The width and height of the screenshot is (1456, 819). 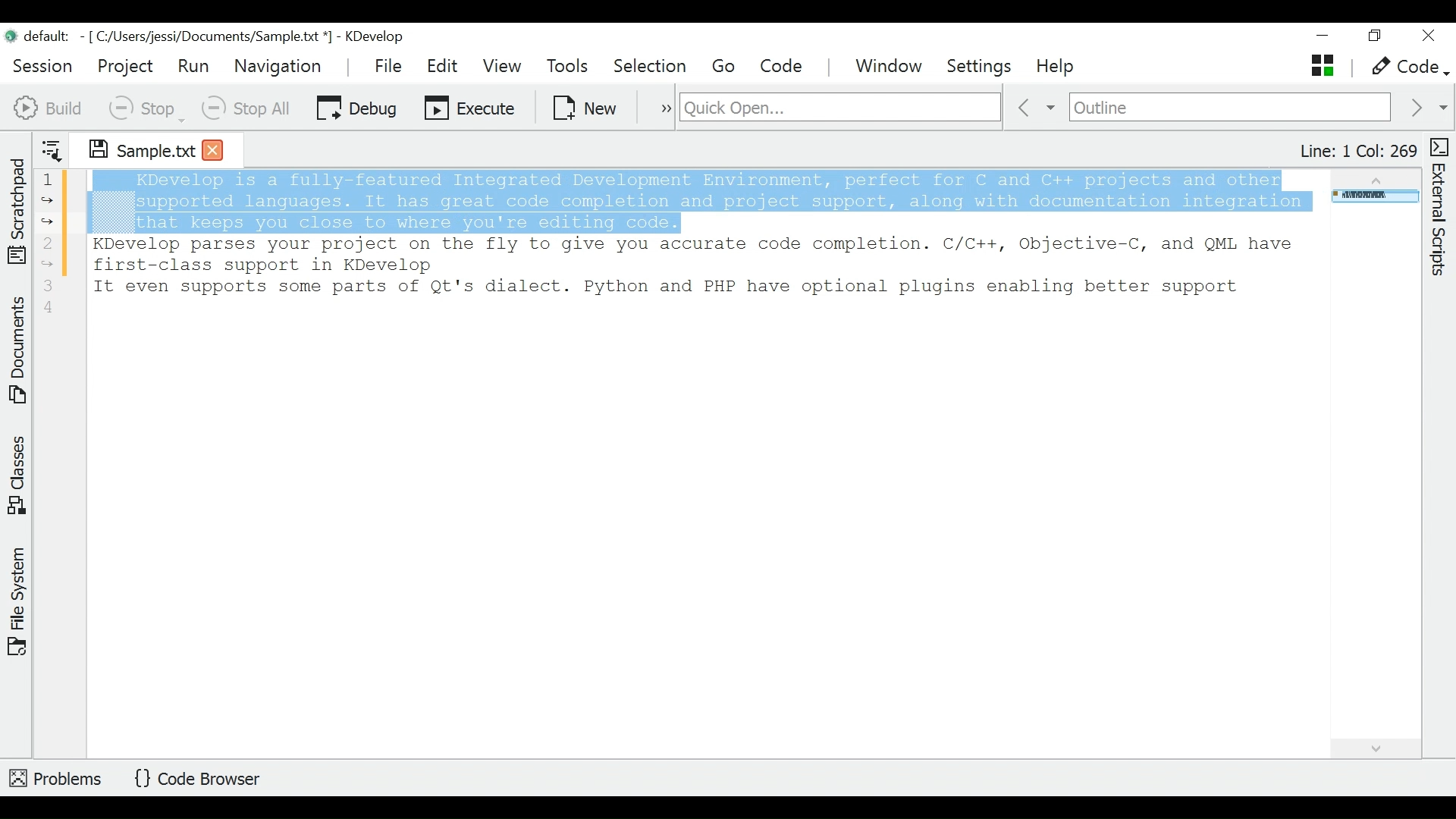 What do you see at coordinates (891, 67) in the screenshot?
I see `Window` at bounding box center [891, 67].